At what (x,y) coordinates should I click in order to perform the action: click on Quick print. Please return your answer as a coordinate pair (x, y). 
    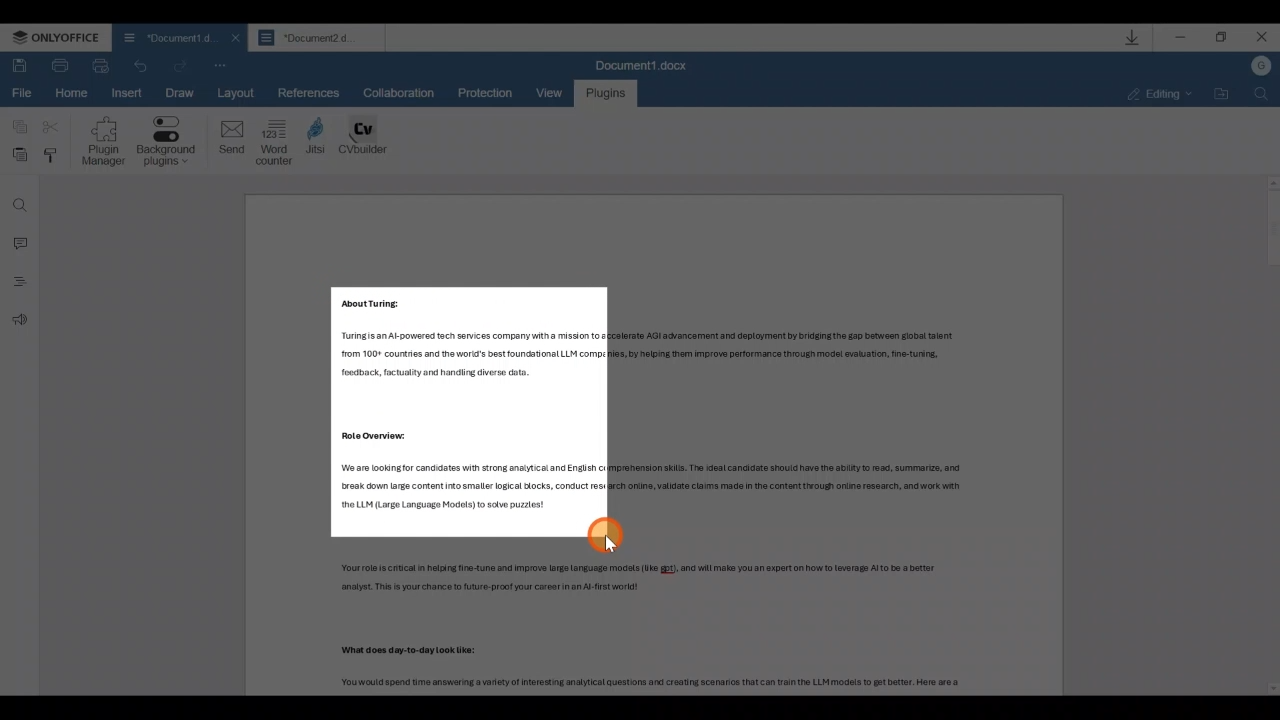
    Looking at the image, I should click on (104, 66).